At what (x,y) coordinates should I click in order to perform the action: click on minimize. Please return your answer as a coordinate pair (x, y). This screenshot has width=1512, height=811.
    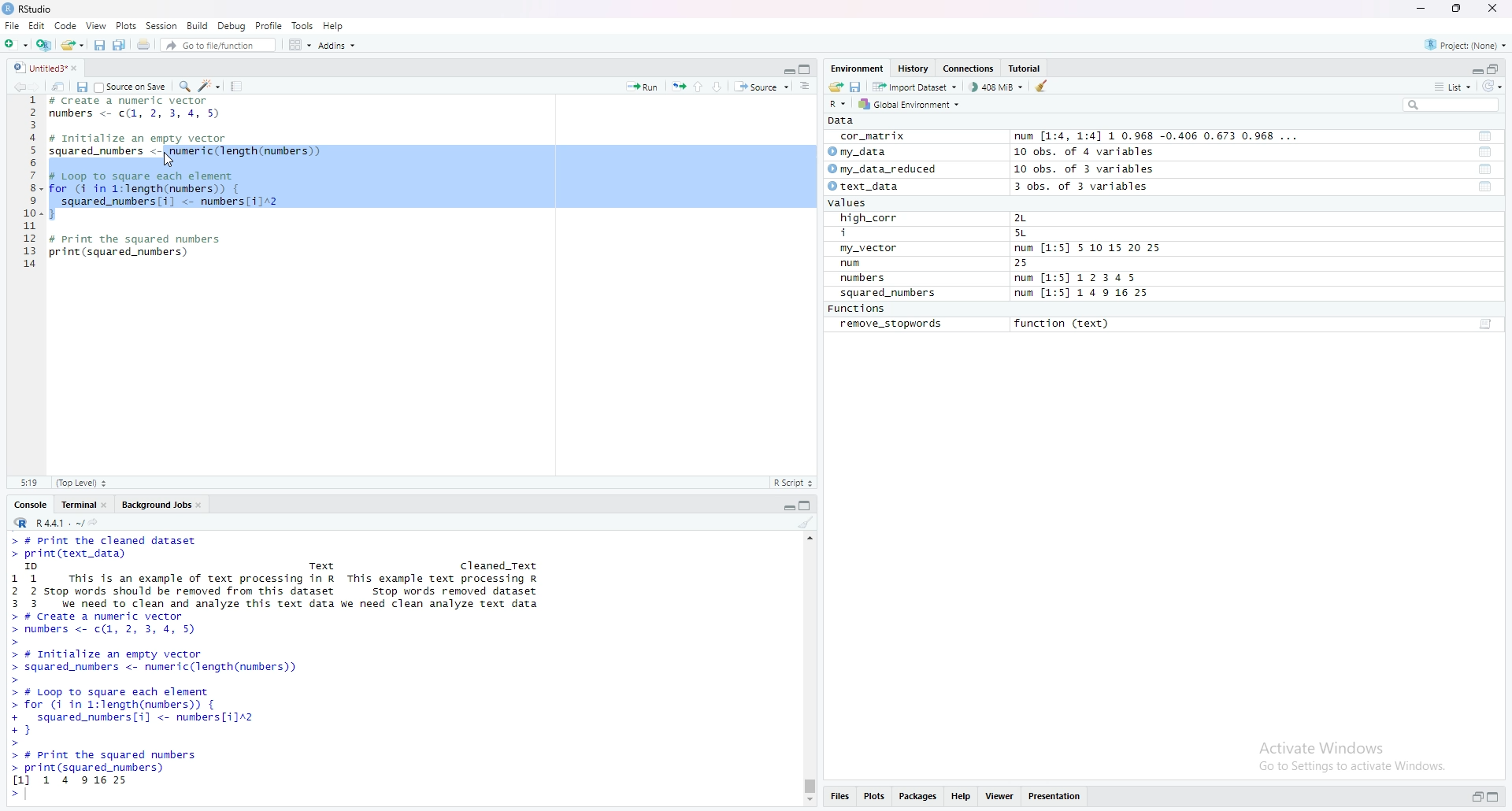
    Looking at the image, I should click on (787, 504).